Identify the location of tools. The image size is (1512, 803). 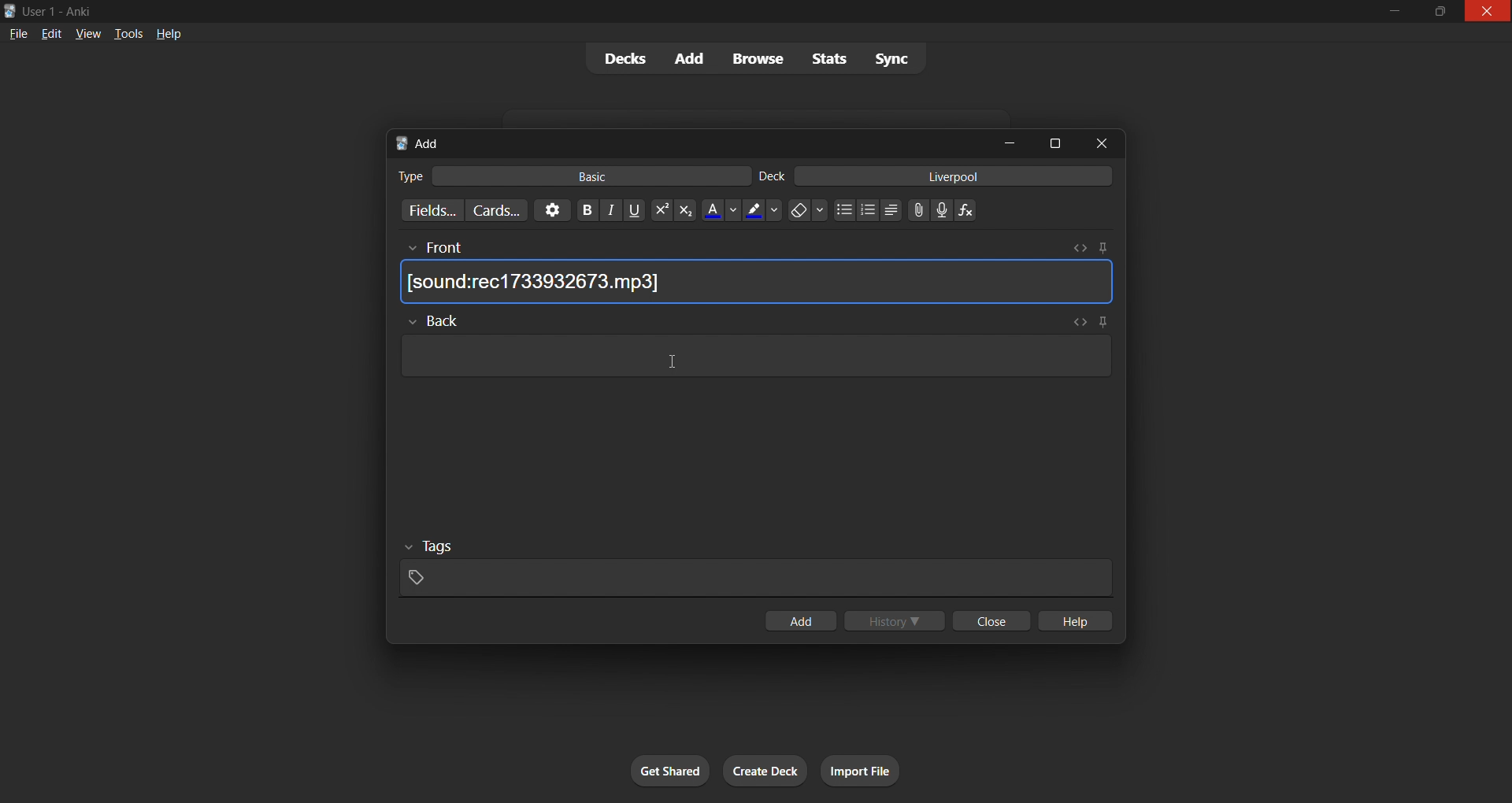
(128, 35).